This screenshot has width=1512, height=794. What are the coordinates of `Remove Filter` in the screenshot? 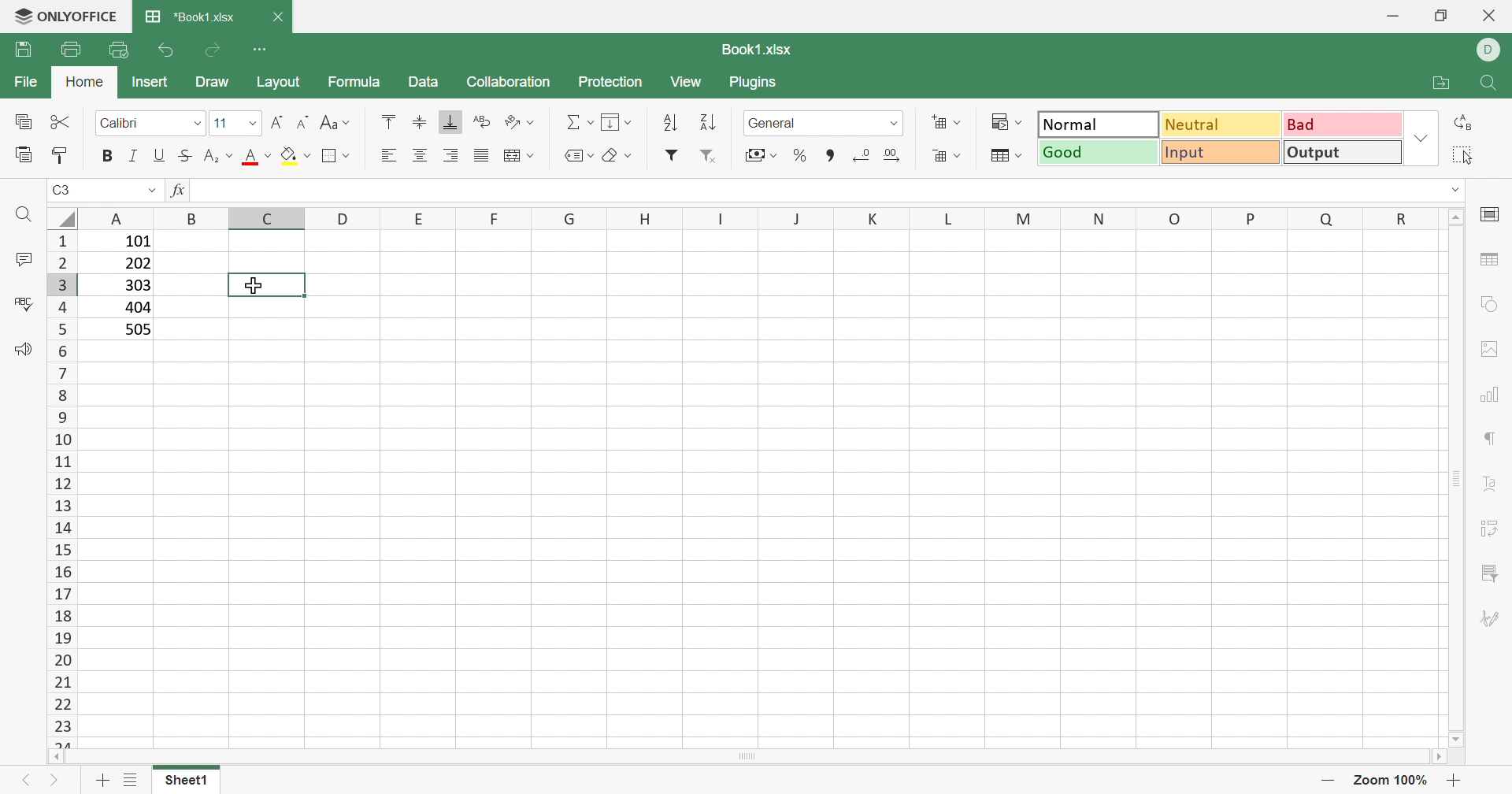 It's located at (708, 157).